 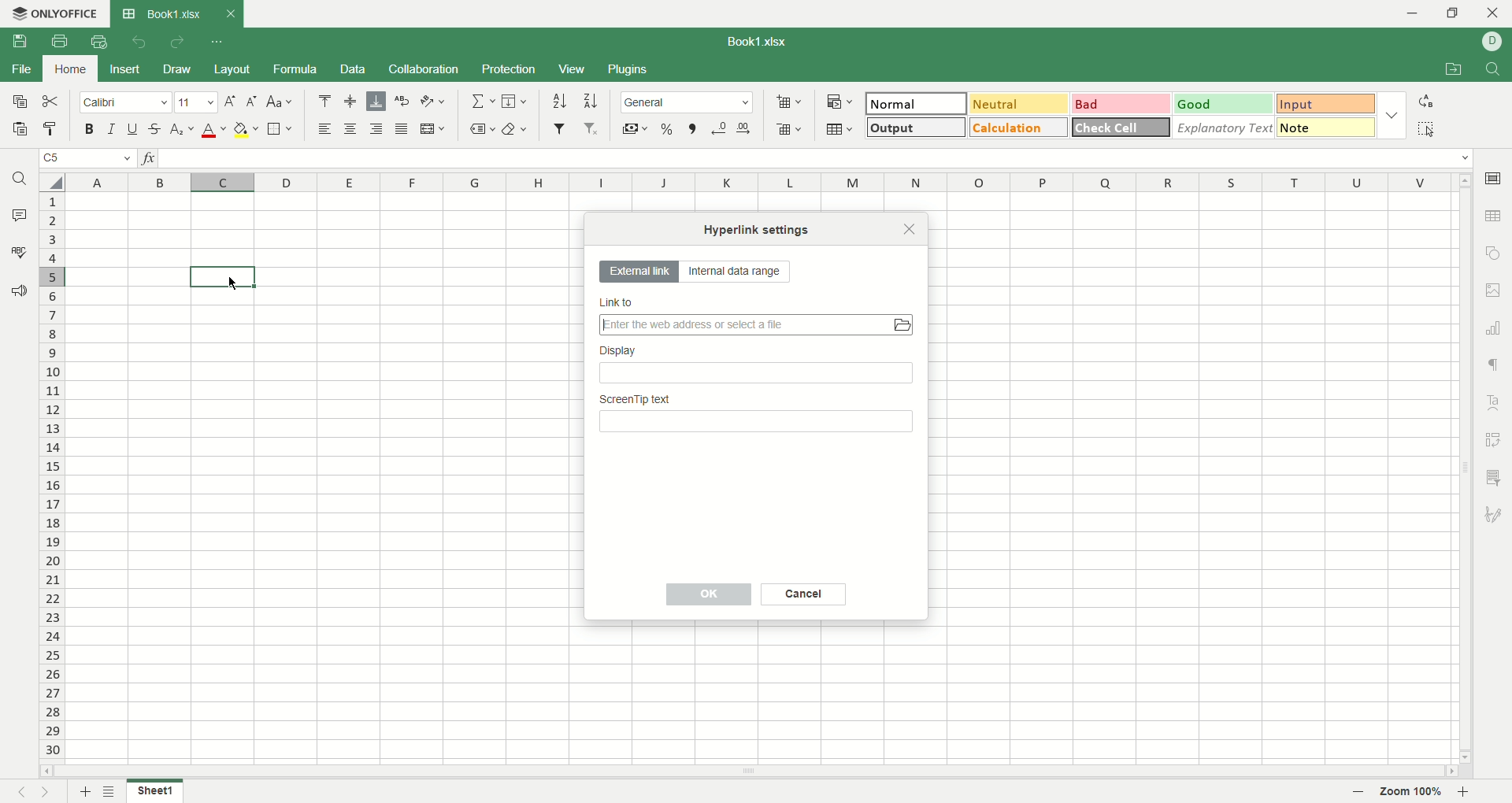 What do you see at coordinates (132, 129) in the screenshot?
I see `underline` at bounding box center [132, 129].